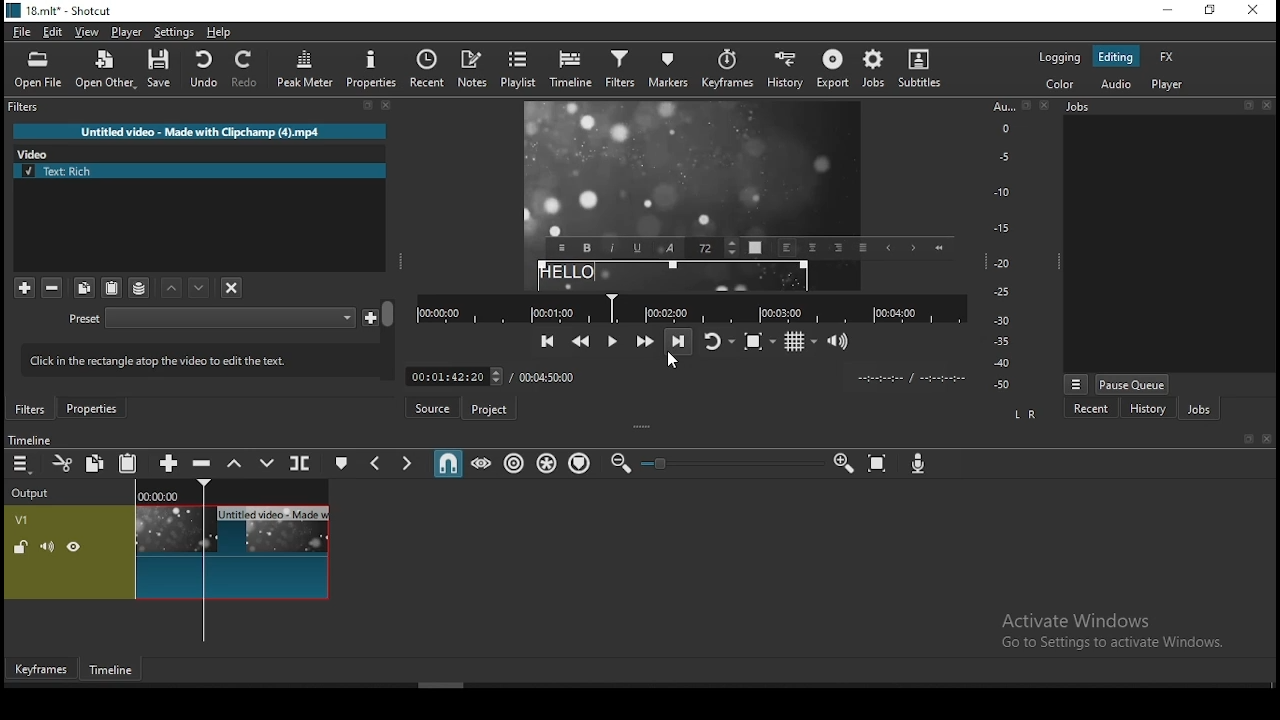  Describe the element at coordinates (24, 288) in the screenshot. I see `add filter` at that location.